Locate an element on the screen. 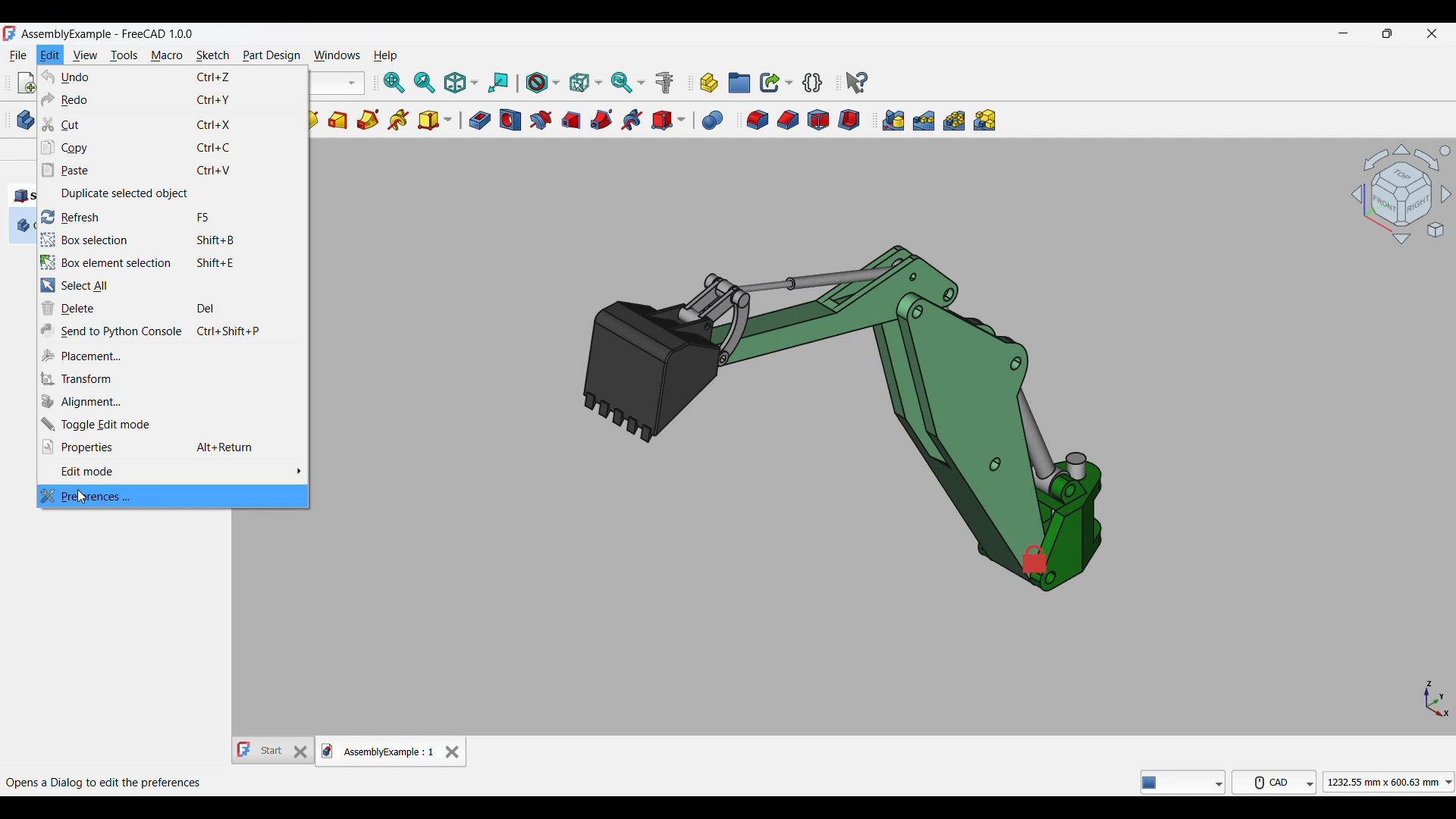  Preferences, highlighted is located at coordinates (173, 496).